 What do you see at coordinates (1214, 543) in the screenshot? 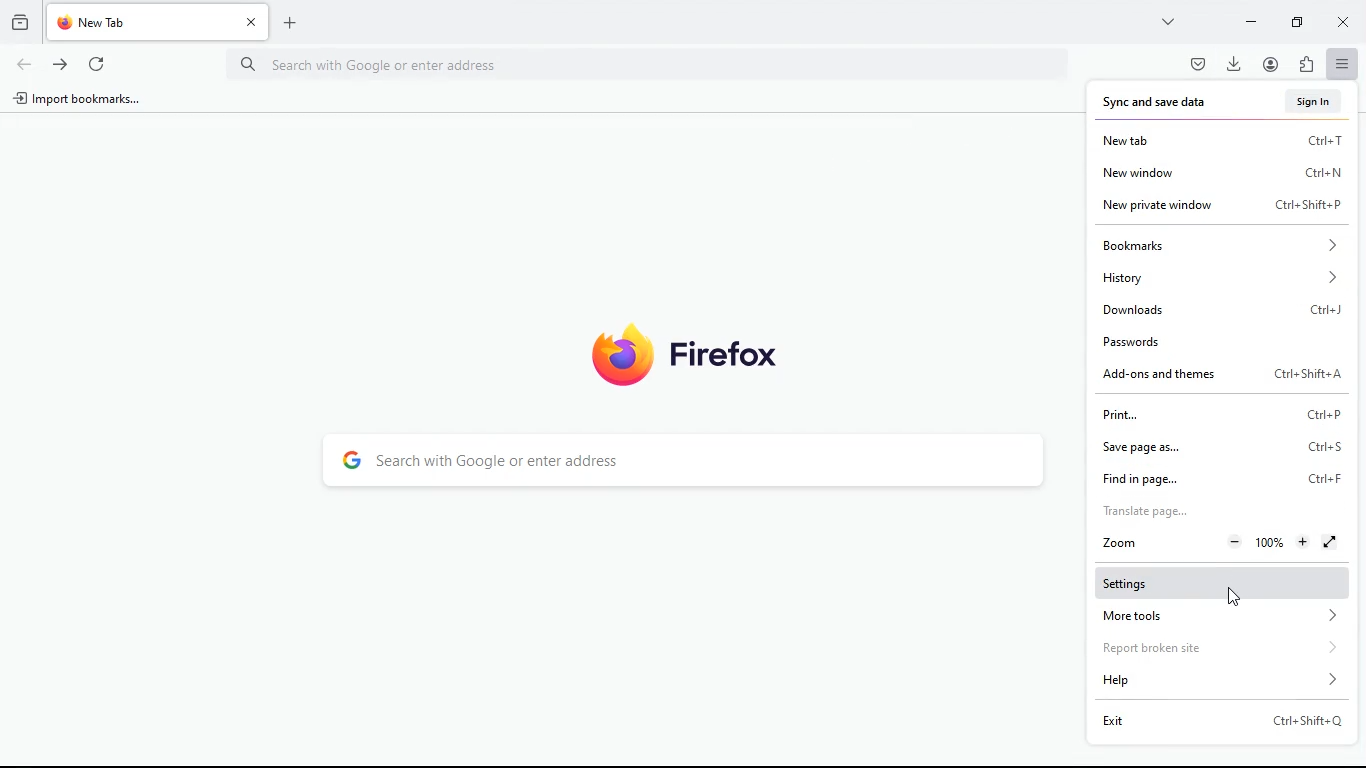
I see `zoom` at bounding box center [1214, 543].